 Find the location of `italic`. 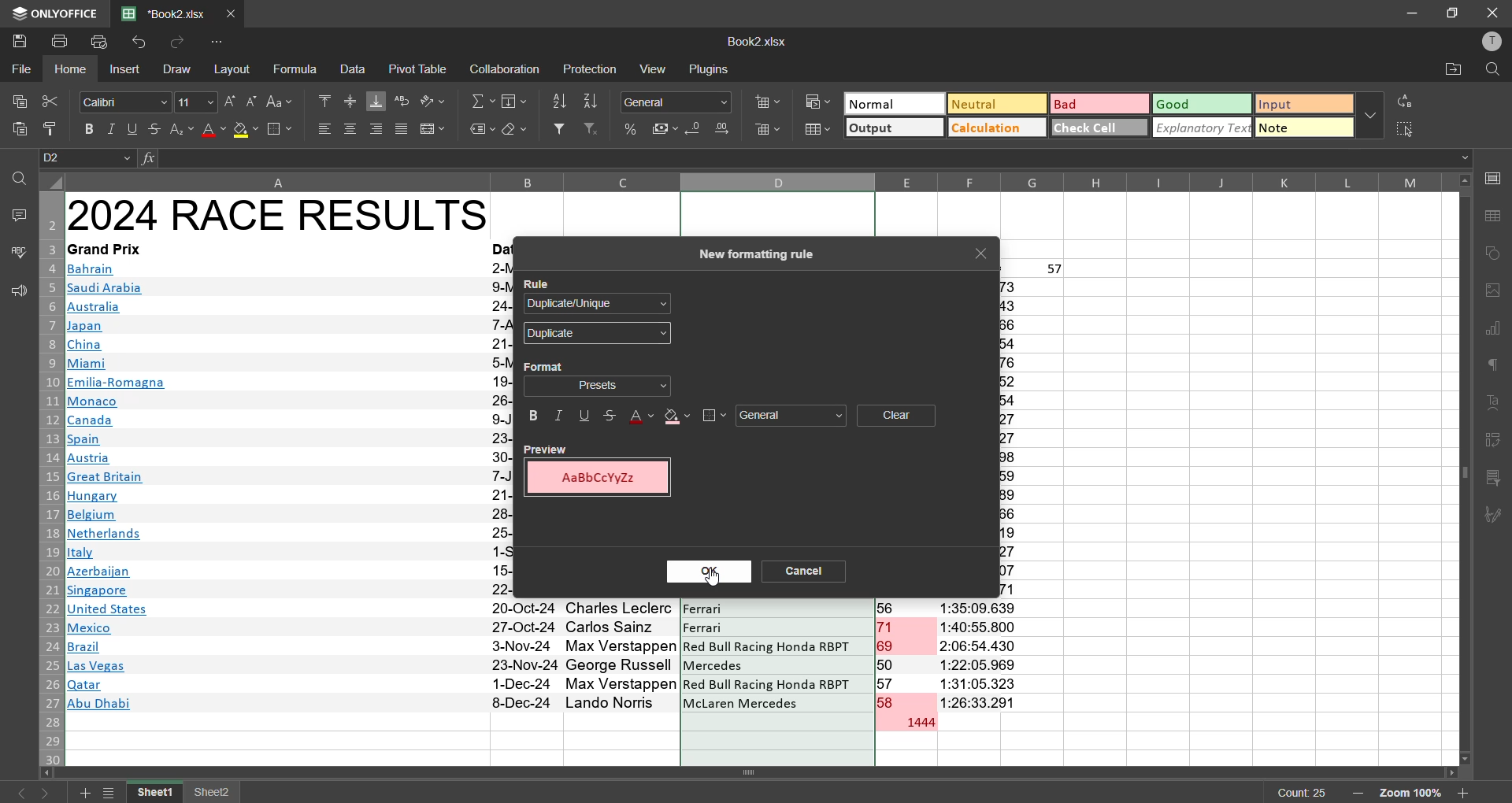

italic is located at coordinates (560, 416).